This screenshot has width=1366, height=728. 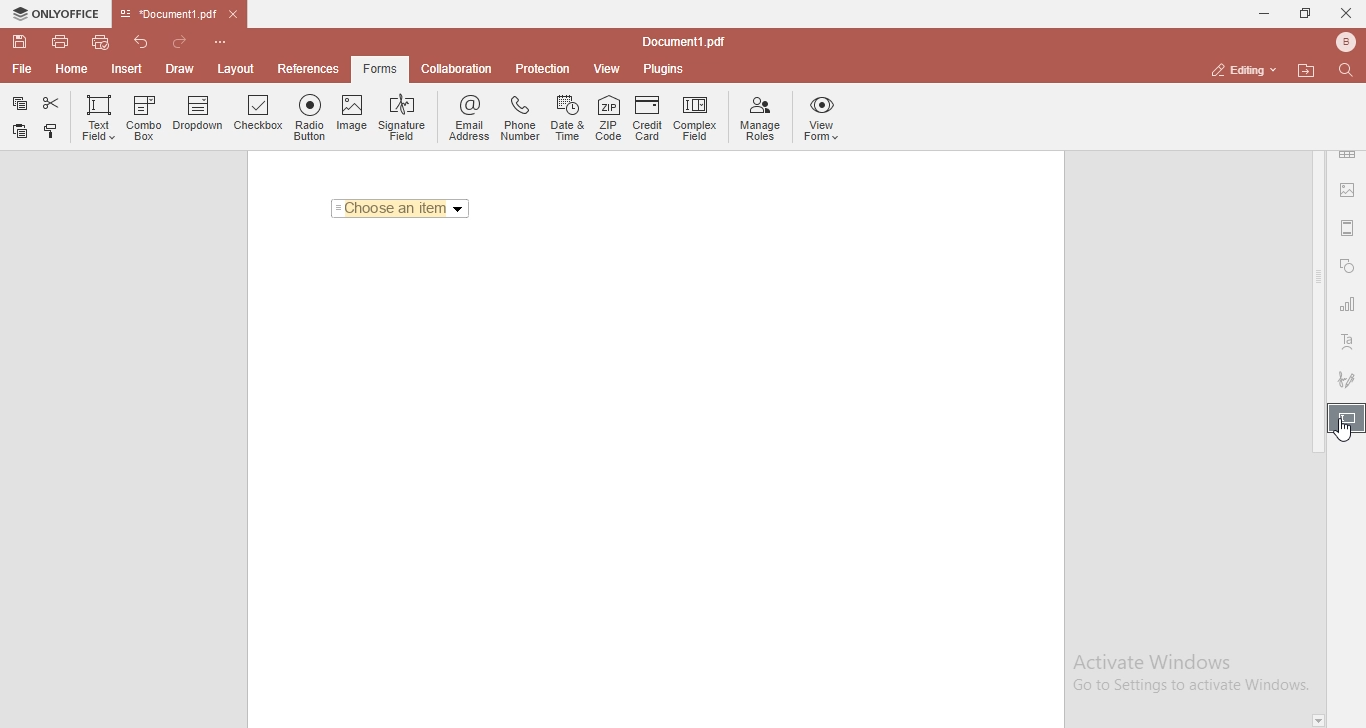 What do you see at coordinates (608, 69) in the screenshot?
I see `view` at bounding box center [608, 69].